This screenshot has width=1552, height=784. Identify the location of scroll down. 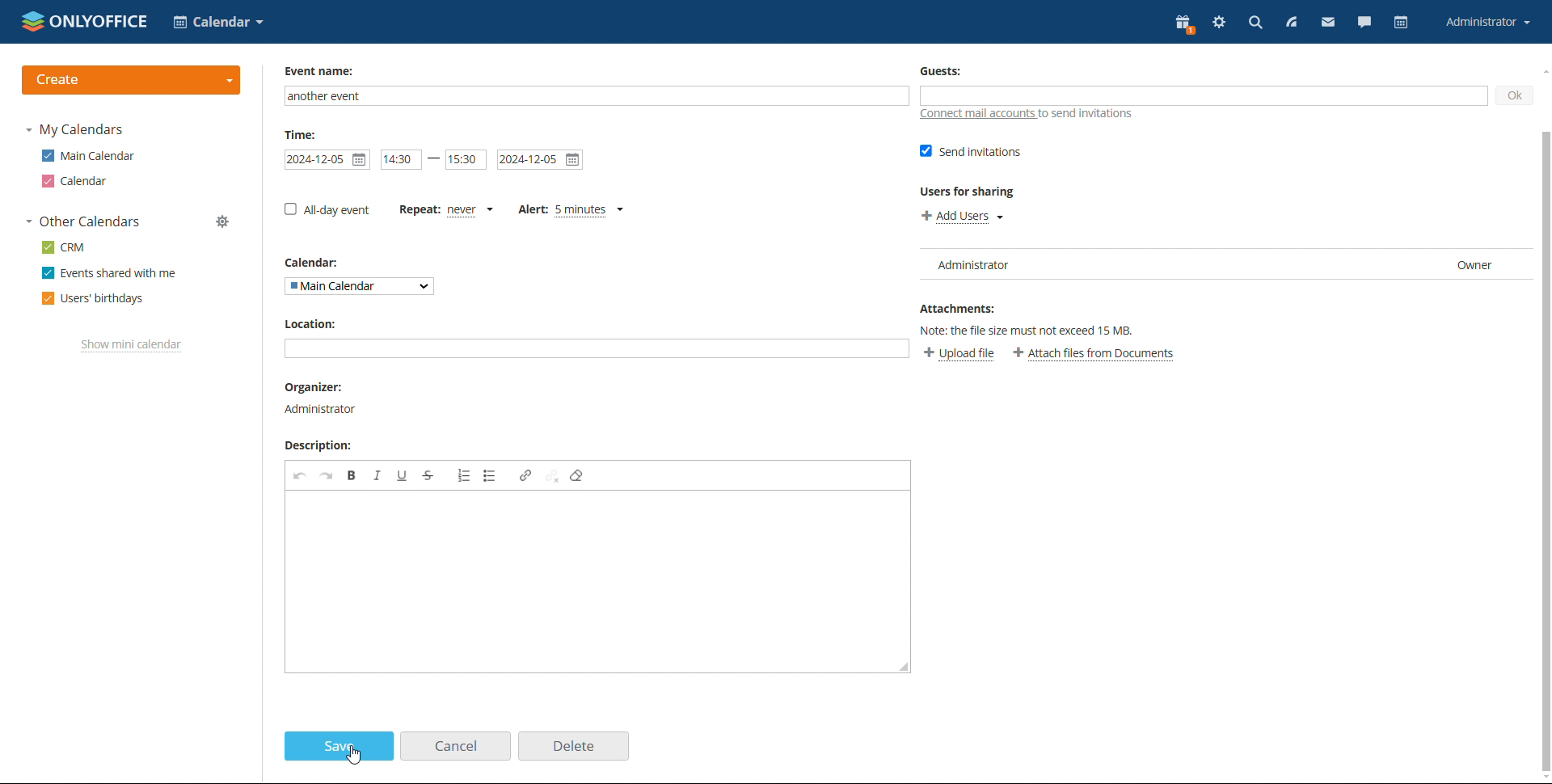
(1542, 777).